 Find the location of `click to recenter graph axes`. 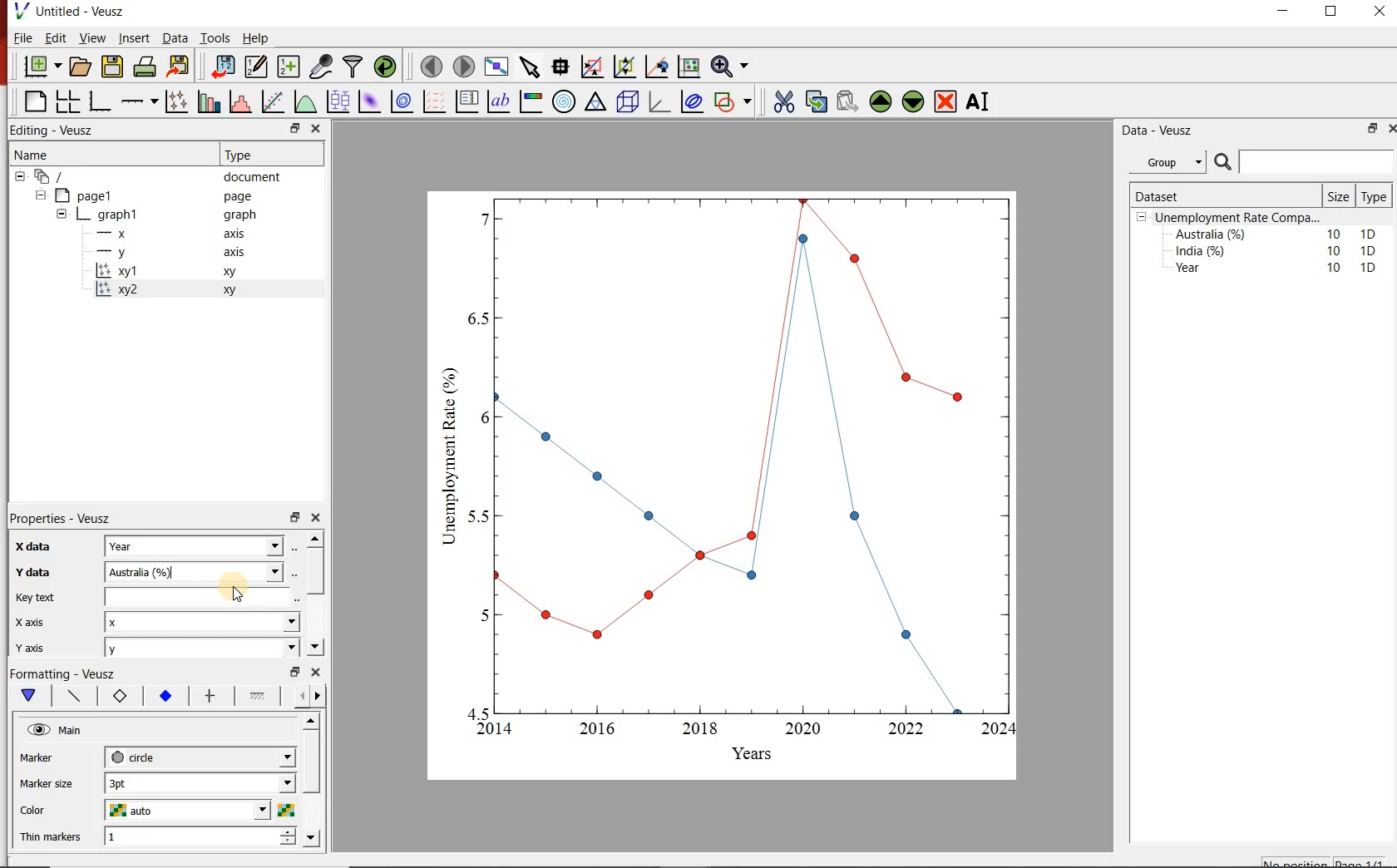

click to recenter graph axes is located at coordinates (658, 66).